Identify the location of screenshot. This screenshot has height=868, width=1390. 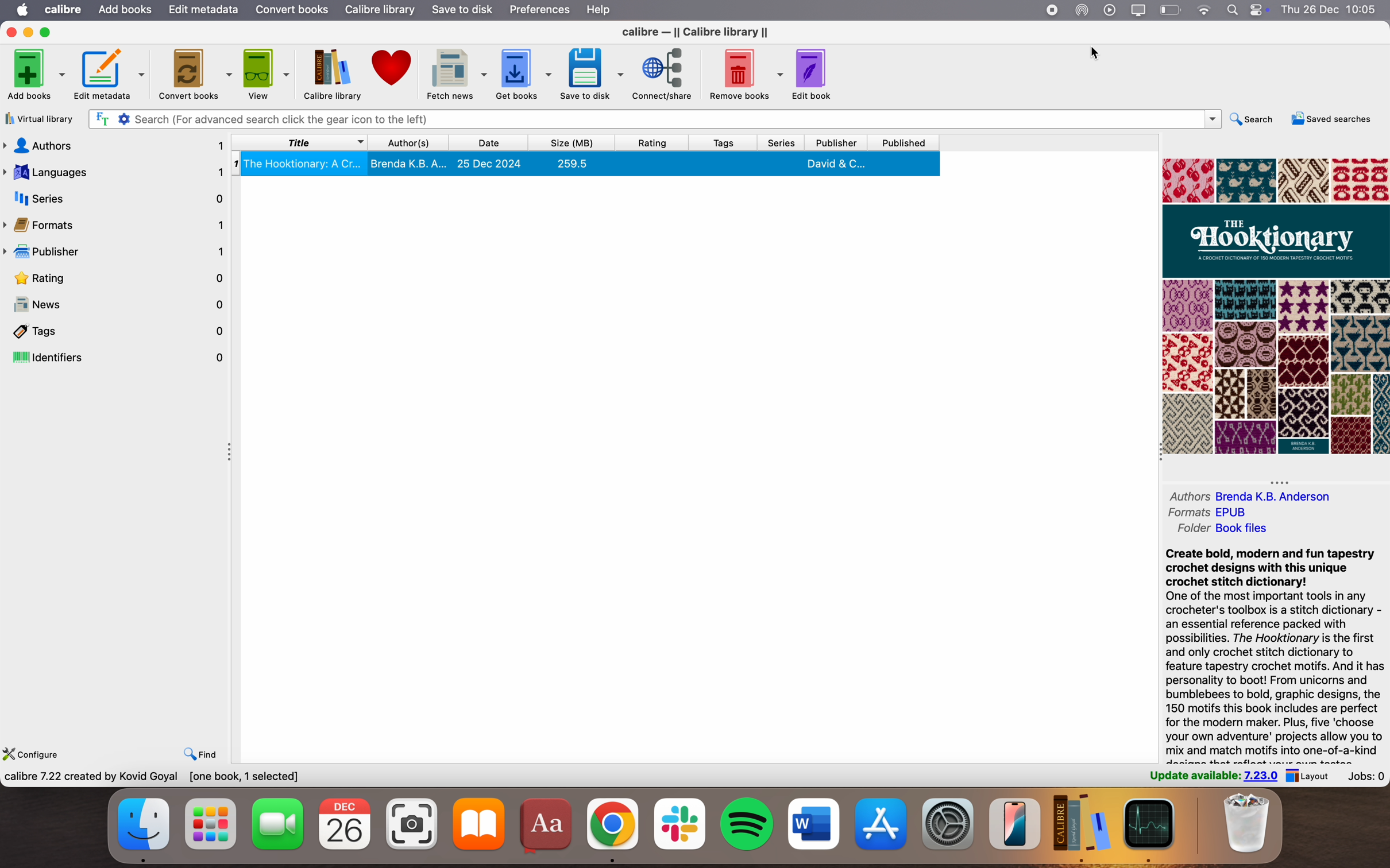
(412, 820).